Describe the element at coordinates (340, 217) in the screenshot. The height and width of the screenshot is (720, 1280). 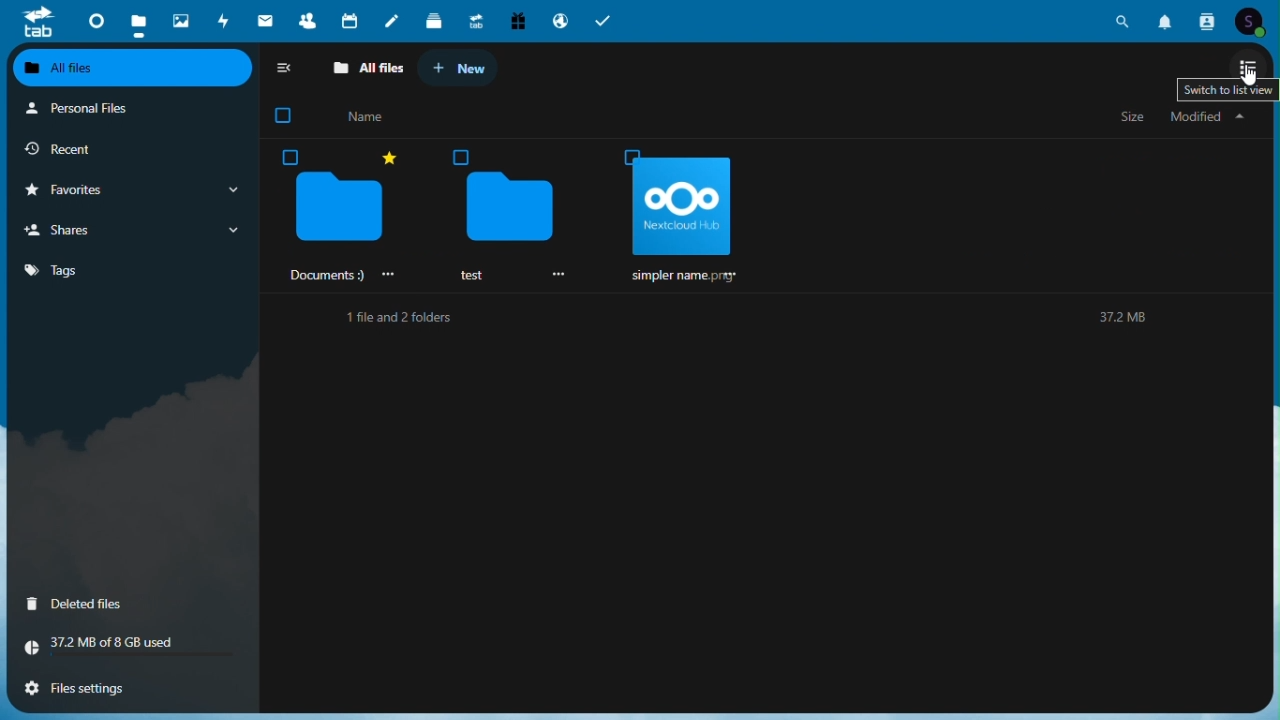
I see `Documents` at that location.